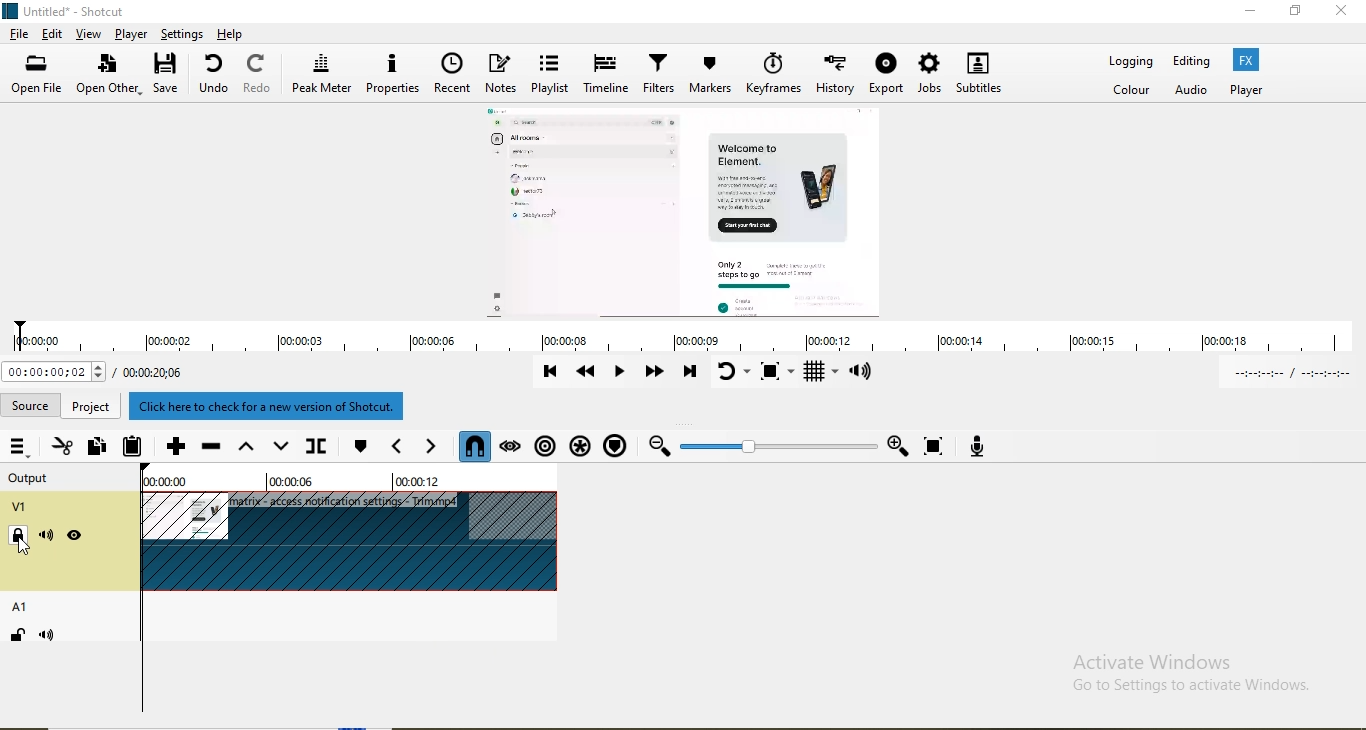  I want to click on Player, so click(130, 33).